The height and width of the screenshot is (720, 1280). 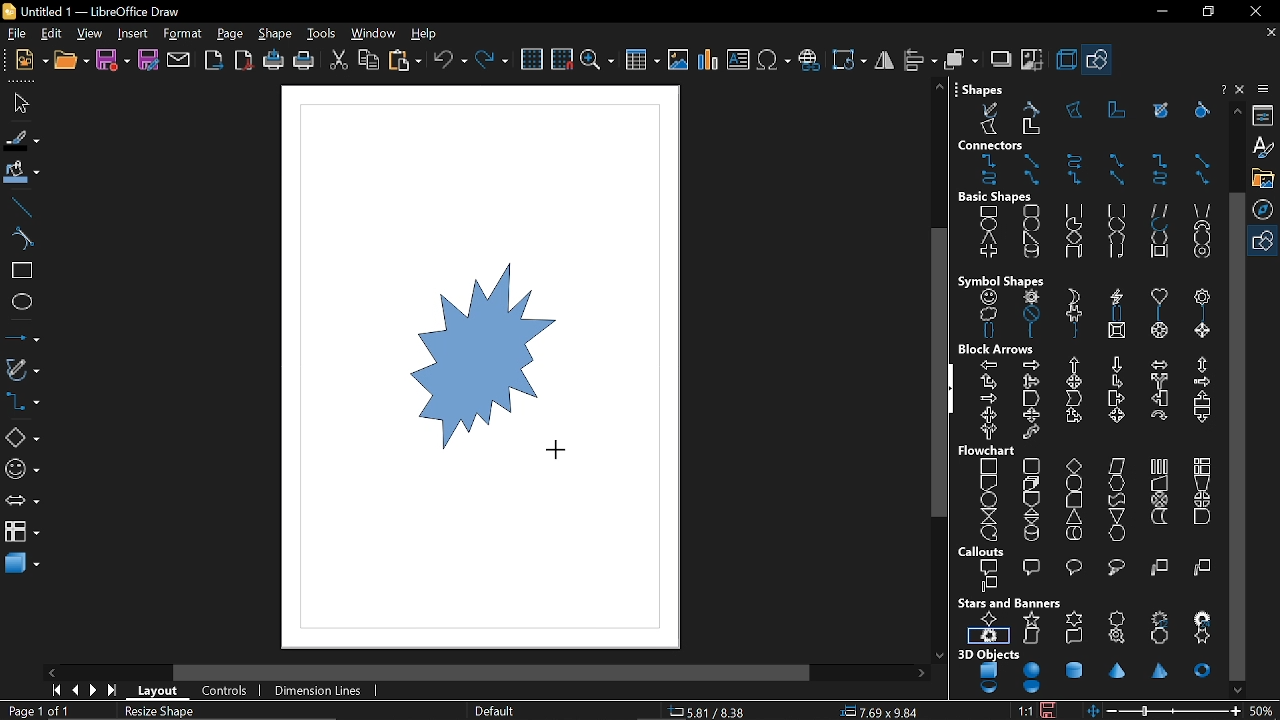 I want to click on snap to grid, so click(x=561, y=60).